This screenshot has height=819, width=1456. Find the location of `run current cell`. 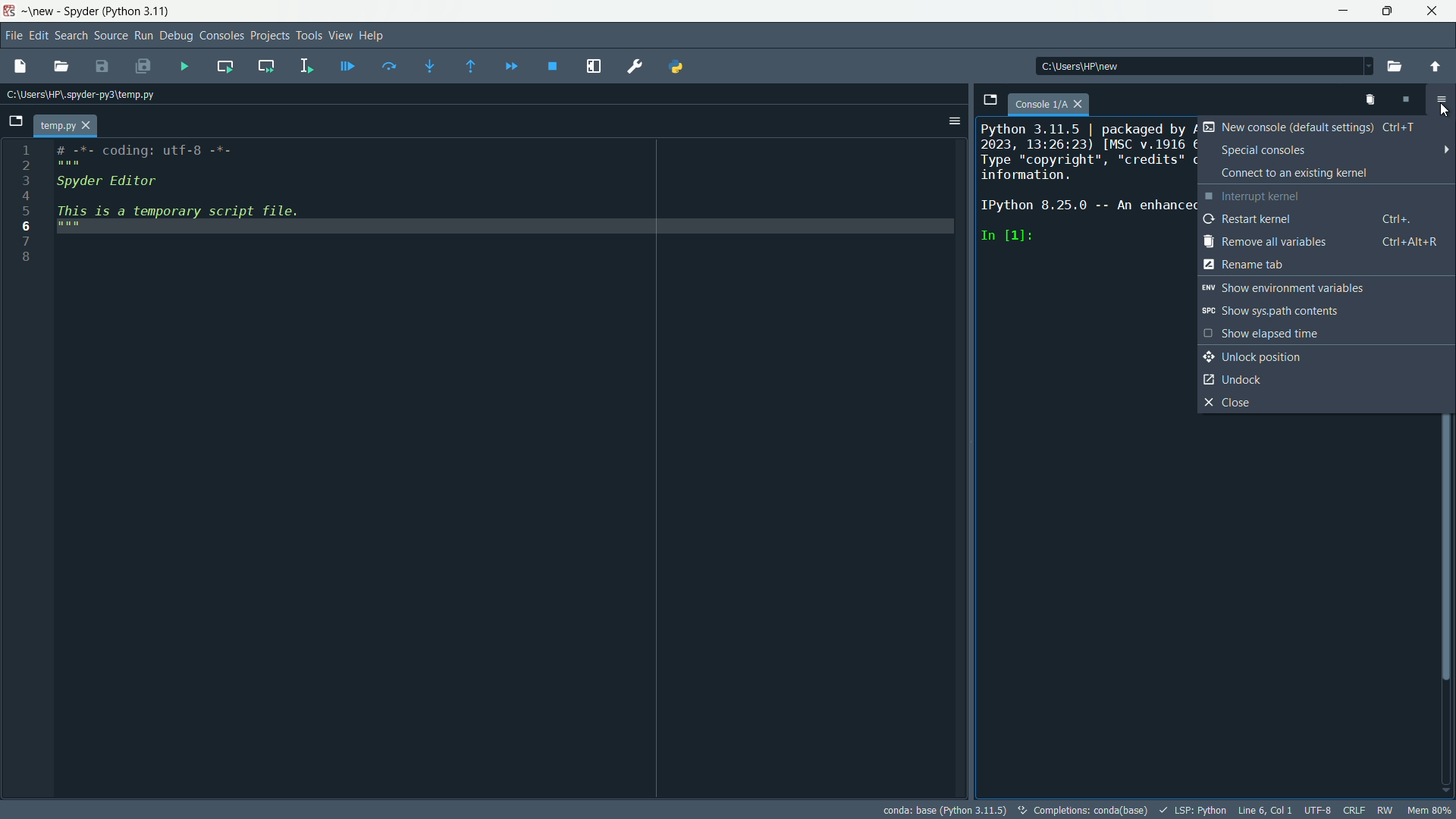

run current cell is located at coordinates (224, 66).